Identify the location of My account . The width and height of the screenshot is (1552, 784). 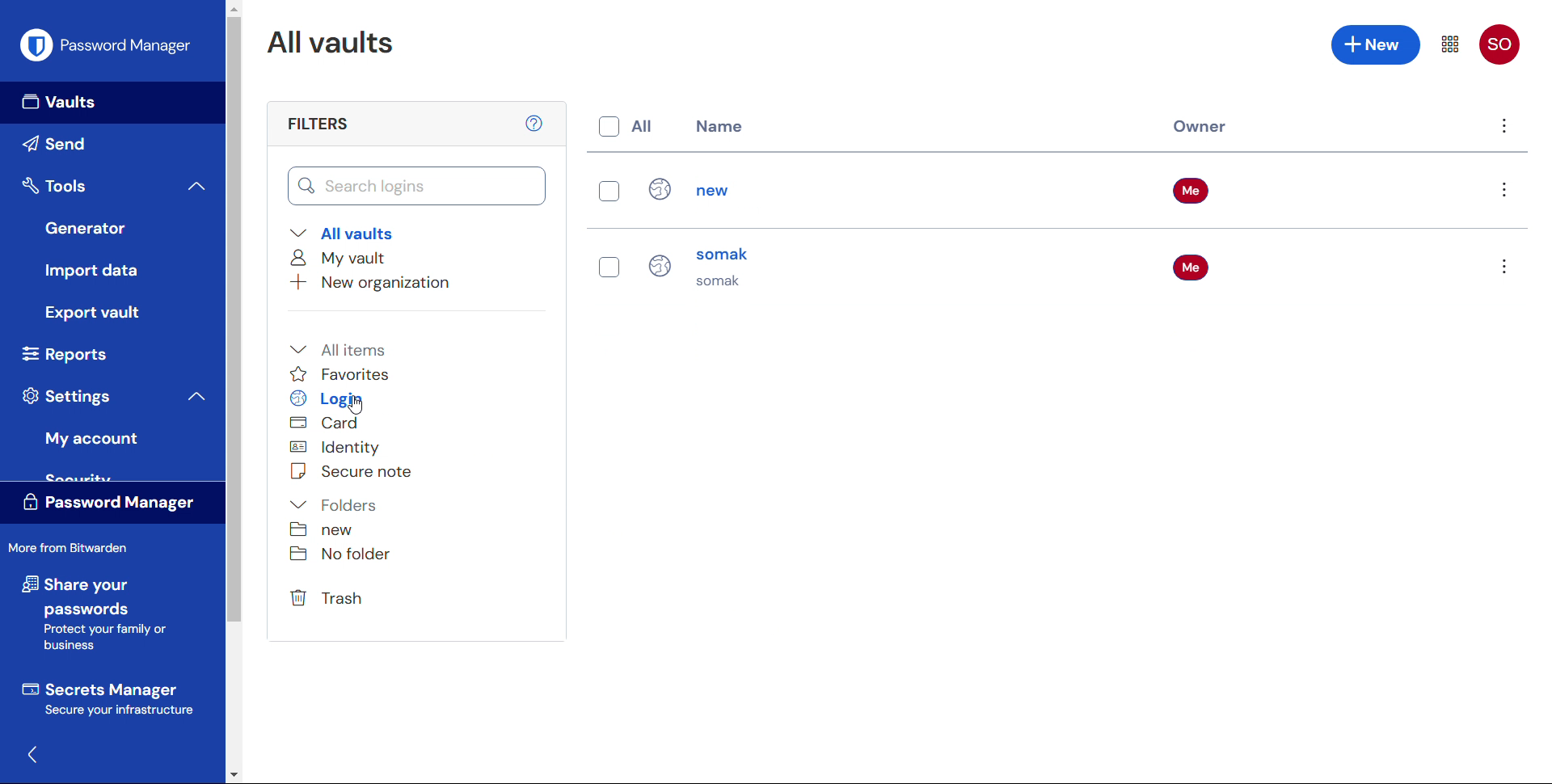
(89, 439).